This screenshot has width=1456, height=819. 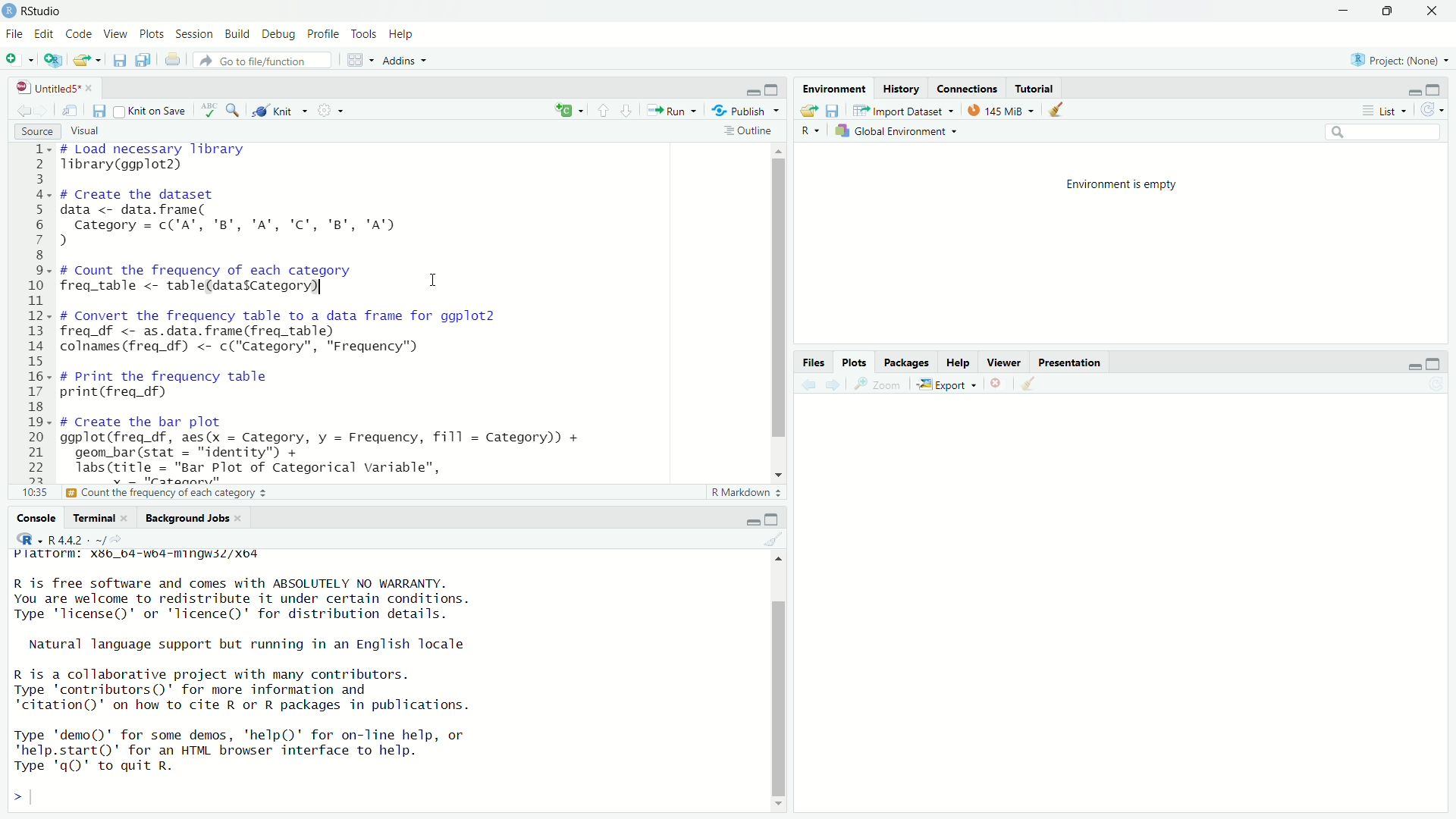 I want to click on open, so click(x=811, y=111).